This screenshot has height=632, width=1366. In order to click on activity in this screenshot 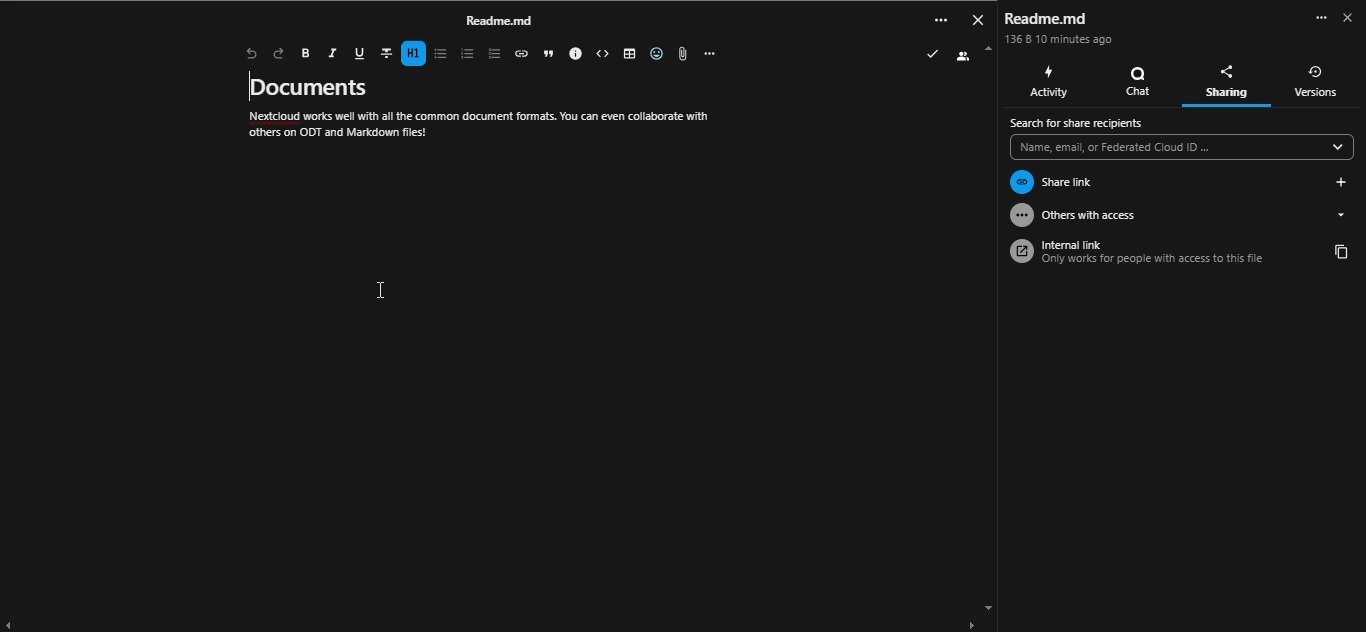, I will do `click(1050, 81)`.